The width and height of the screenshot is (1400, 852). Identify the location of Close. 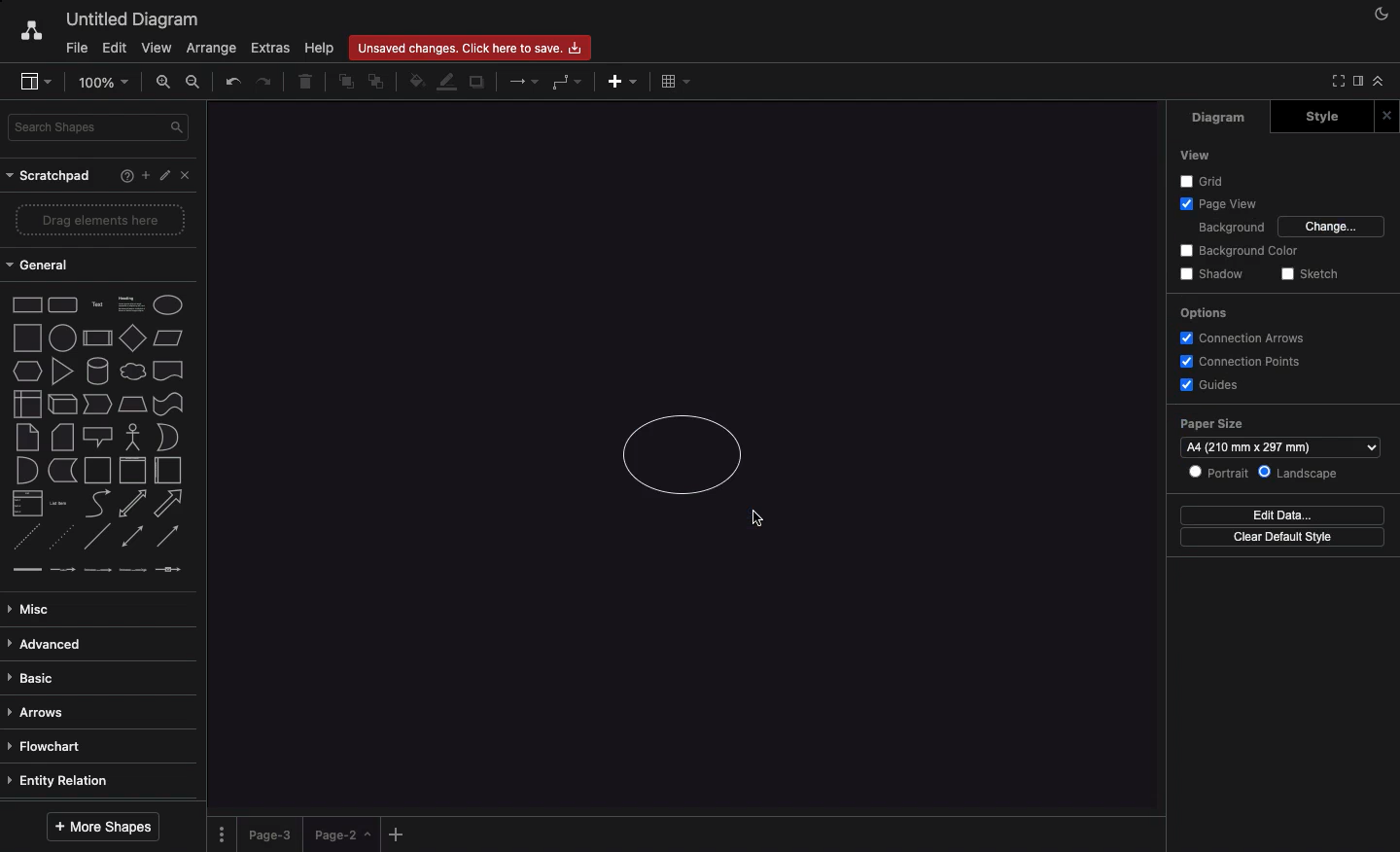
(1389, 115).